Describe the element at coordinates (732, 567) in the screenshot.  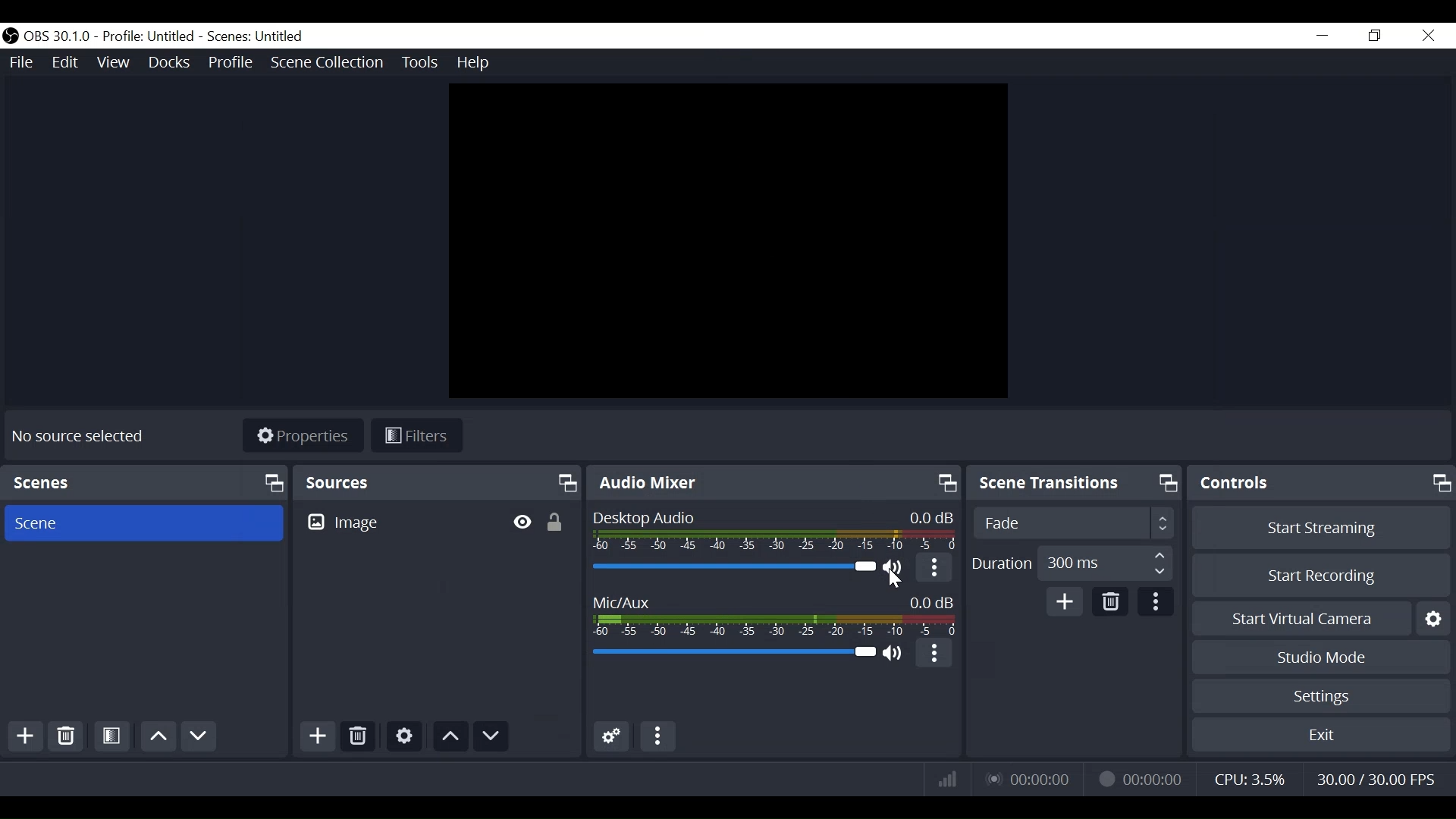
I see `Desktop Audio Slider` at that location.